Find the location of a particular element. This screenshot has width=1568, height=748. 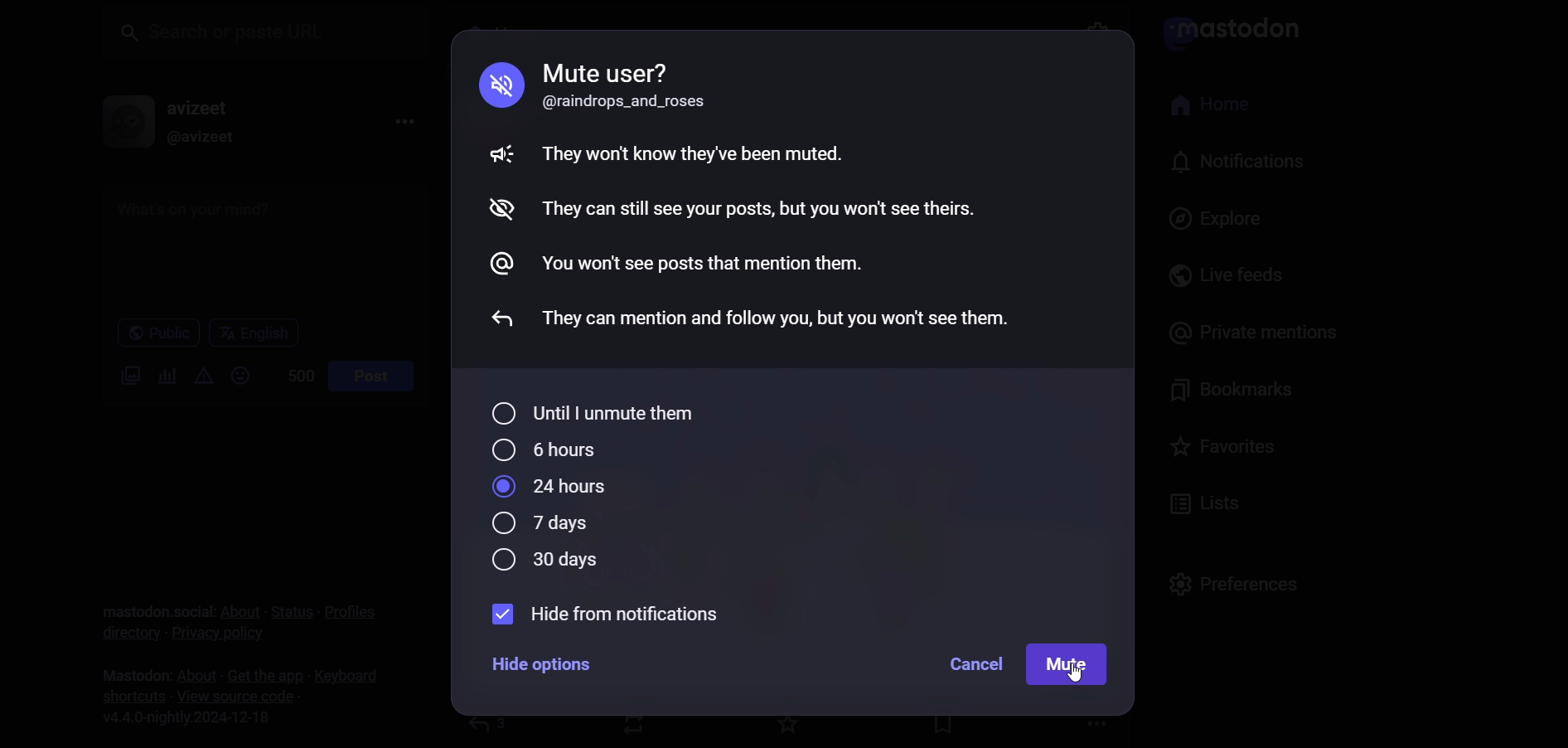

6 hours is located at coordinates (547, 449).